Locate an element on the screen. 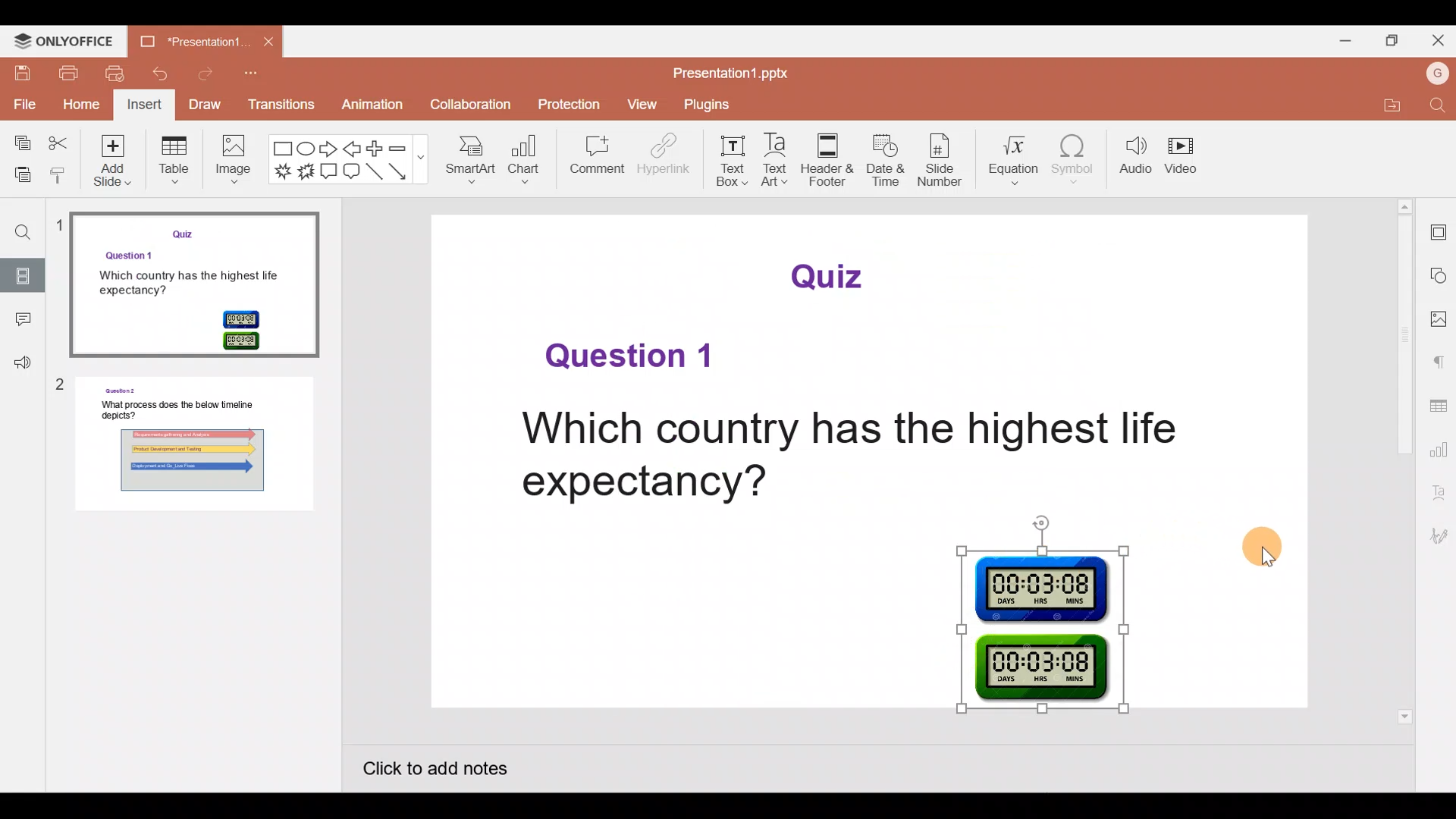  Plus is located at coordinates (378, 149).